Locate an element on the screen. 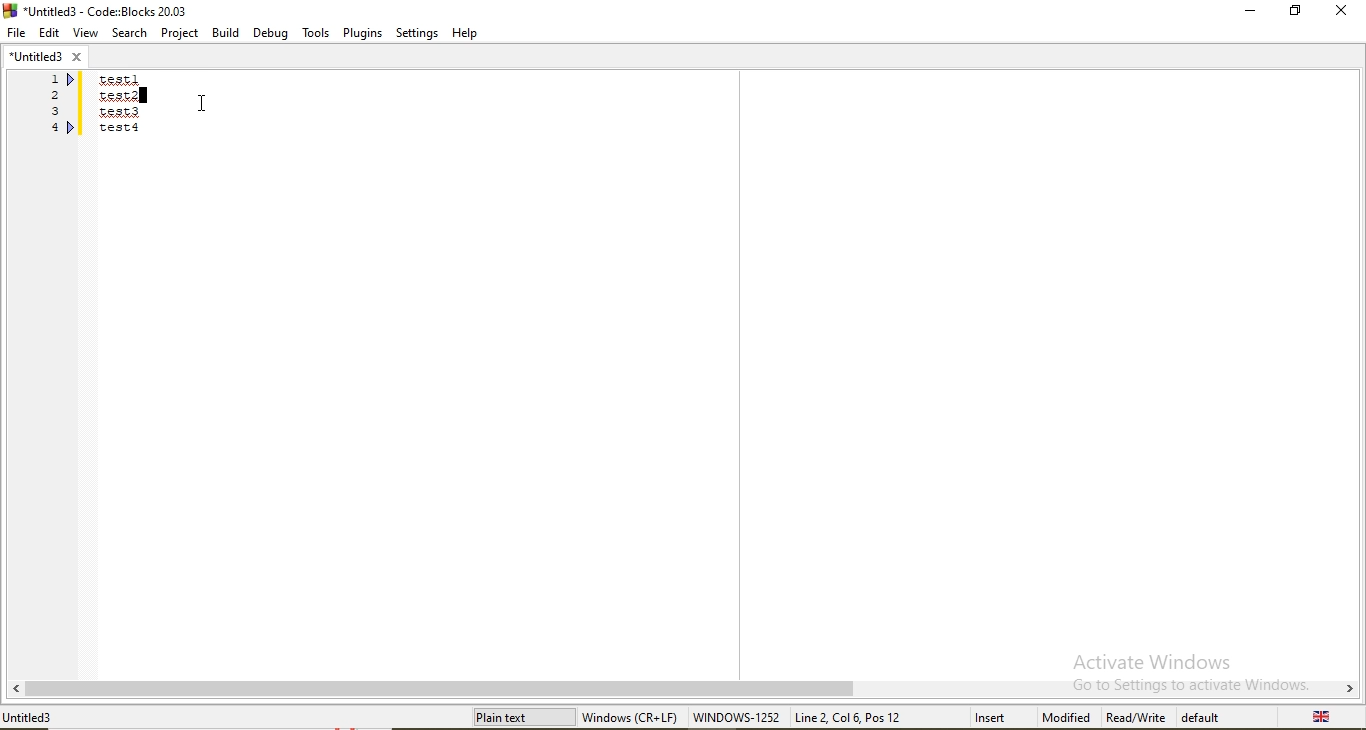  Debug  is located at coordinates (271, 32).